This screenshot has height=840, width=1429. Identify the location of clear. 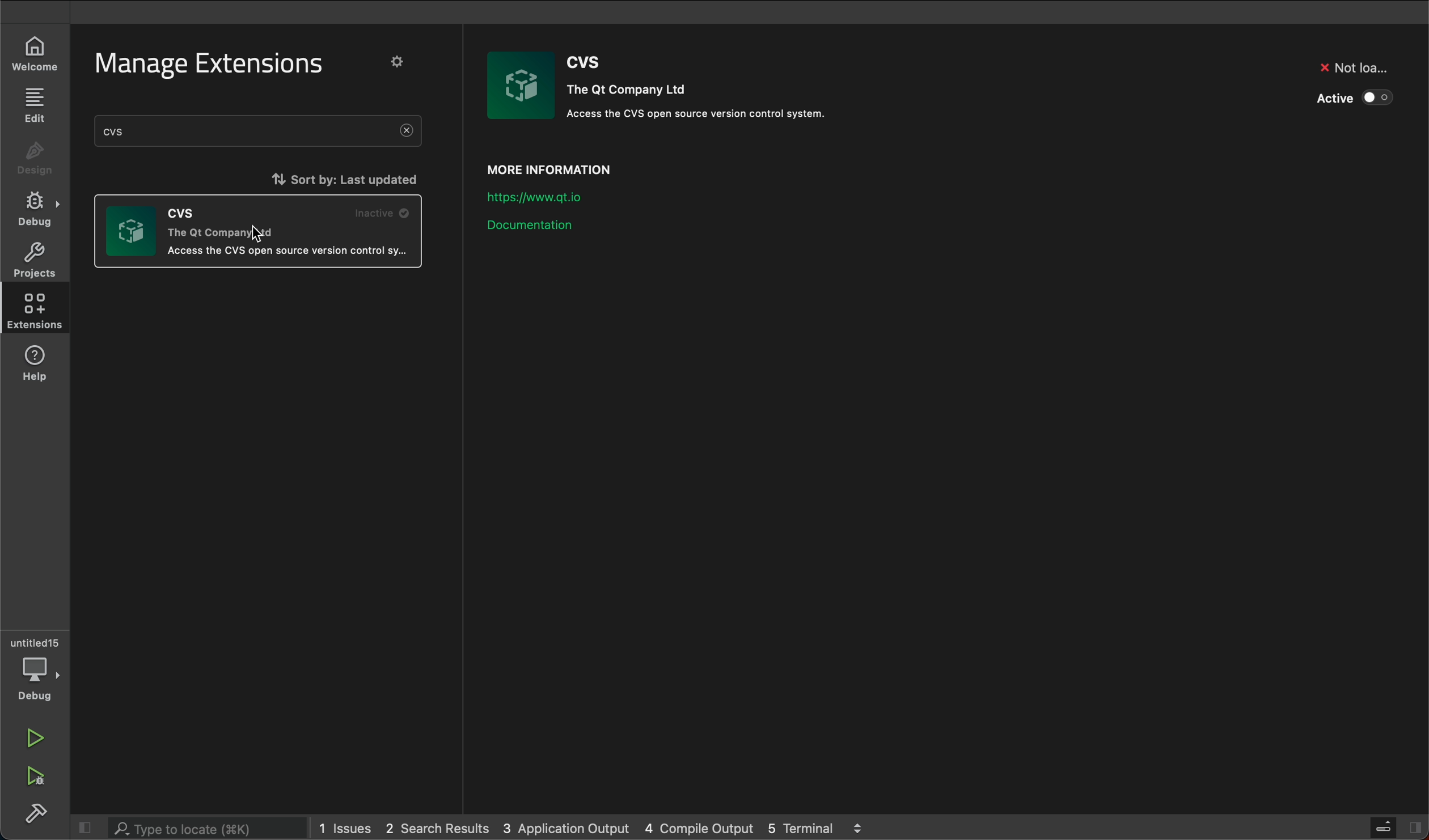
(407, 131).